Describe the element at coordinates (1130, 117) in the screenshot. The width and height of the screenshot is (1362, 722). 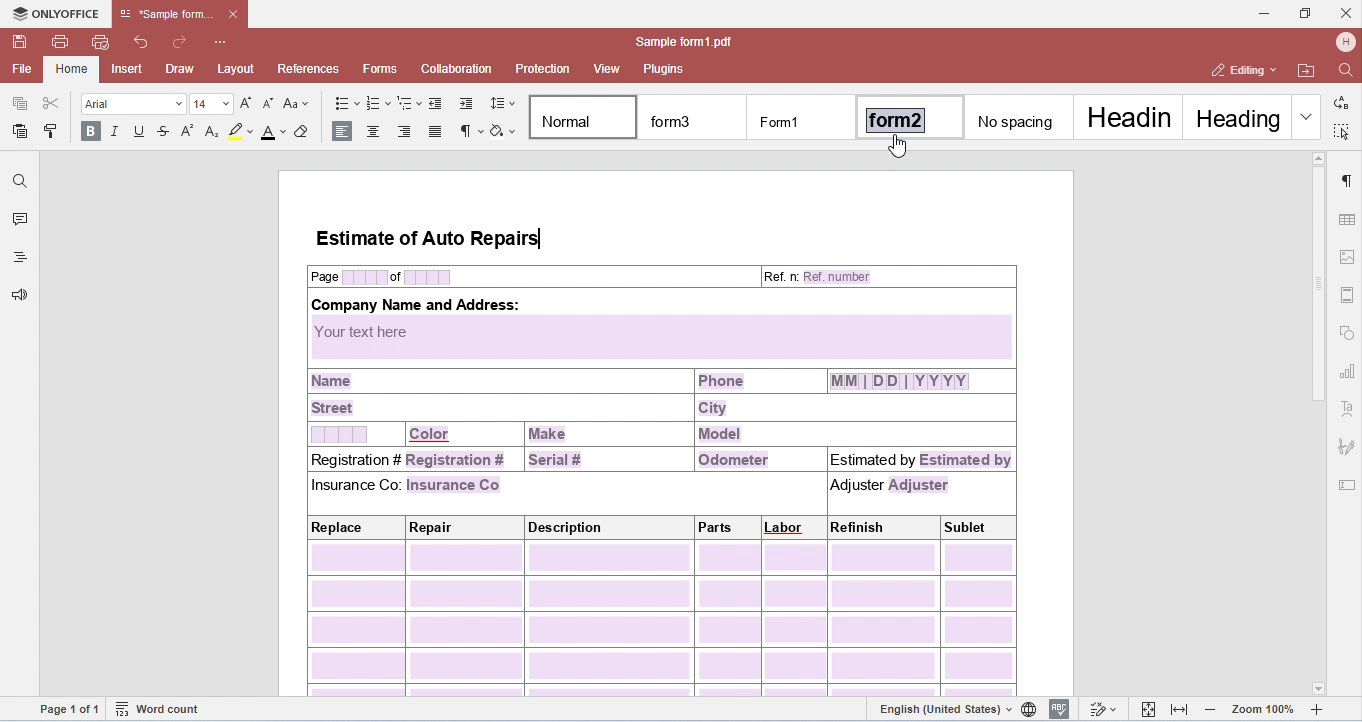
I see `heading` at that location.